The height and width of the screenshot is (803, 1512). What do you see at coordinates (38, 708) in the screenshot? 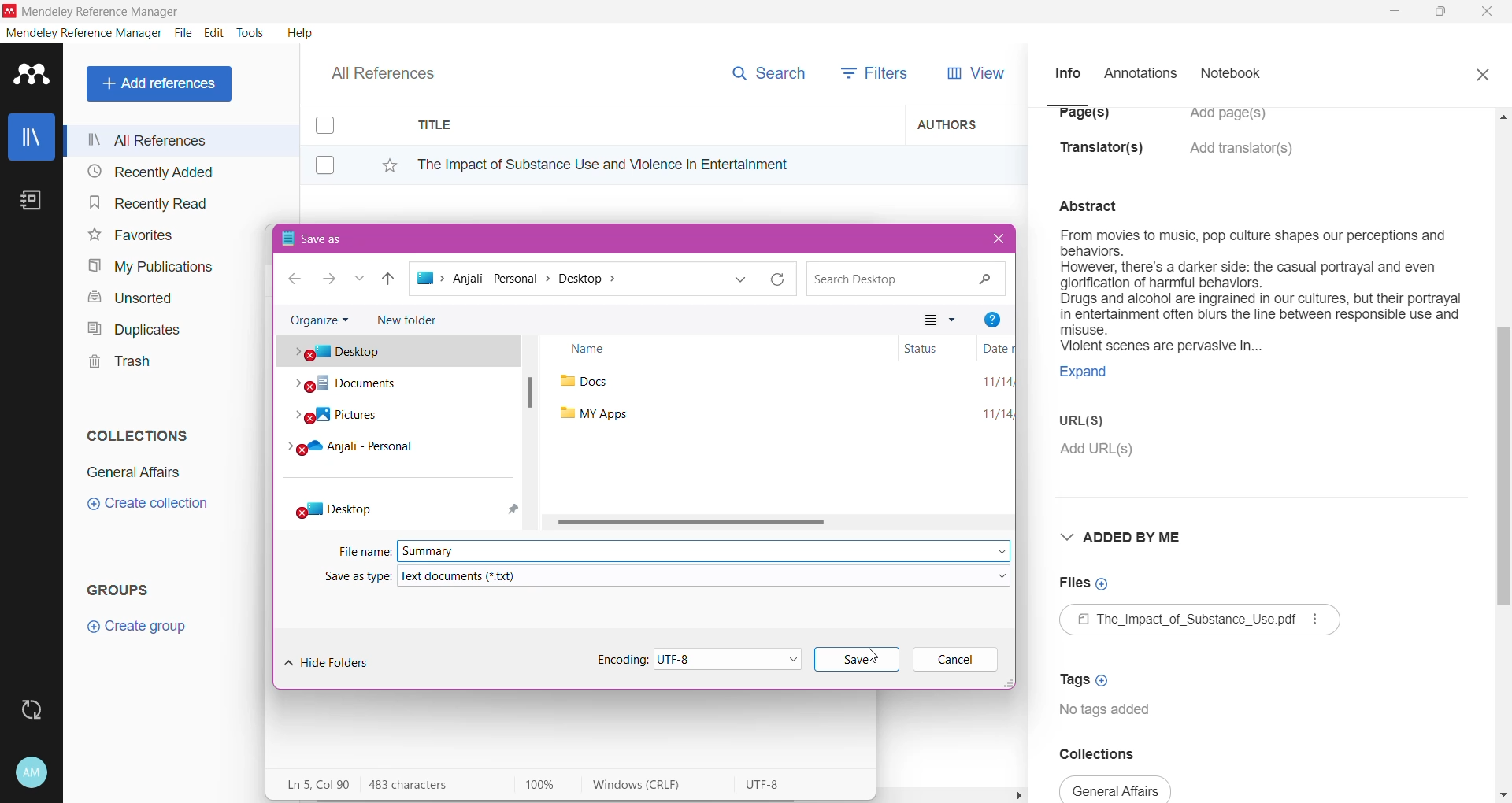
I see `Last Sync` at bounding box center [38, 708].